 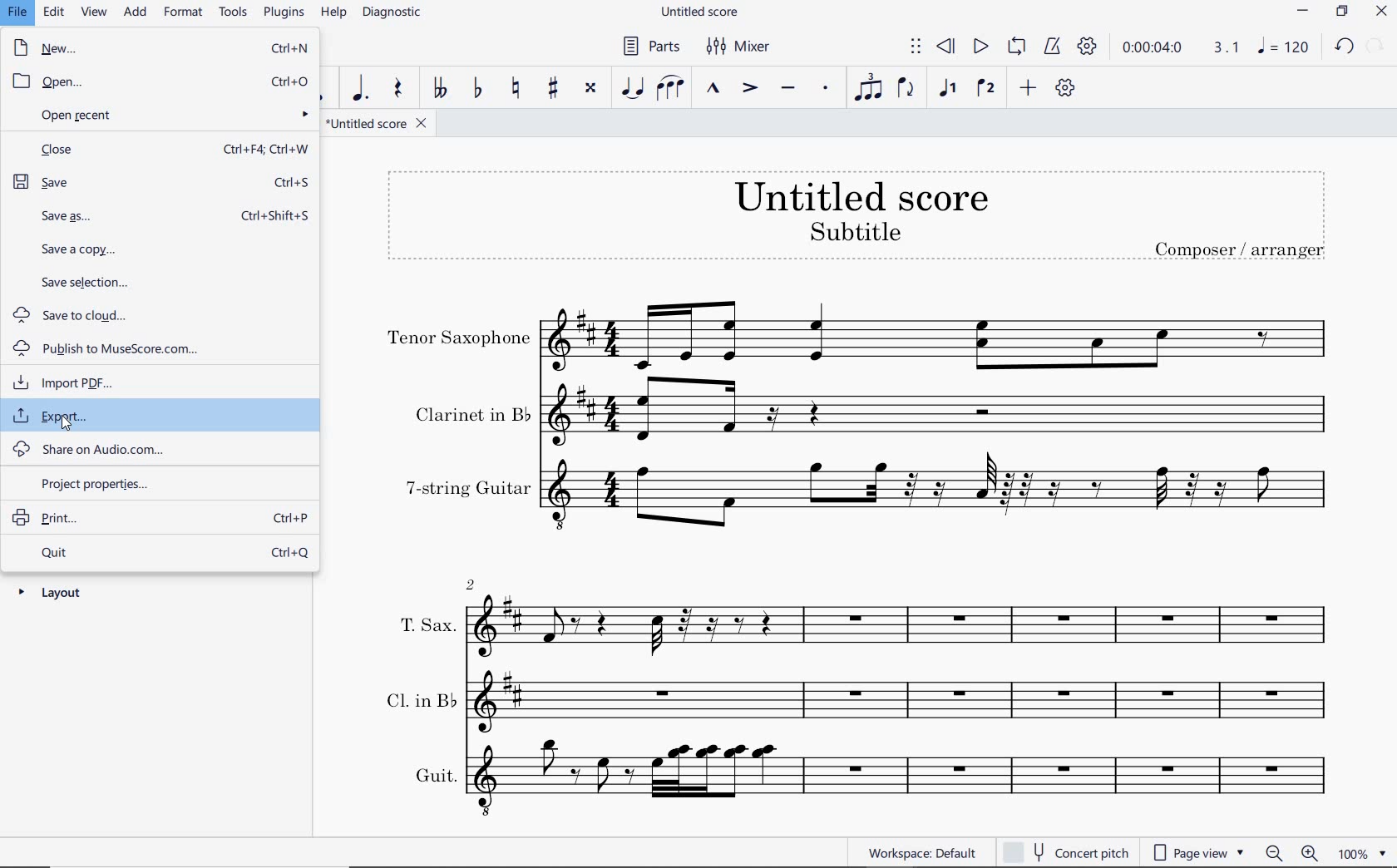 I want to click on close, so click(x=161, y=149).